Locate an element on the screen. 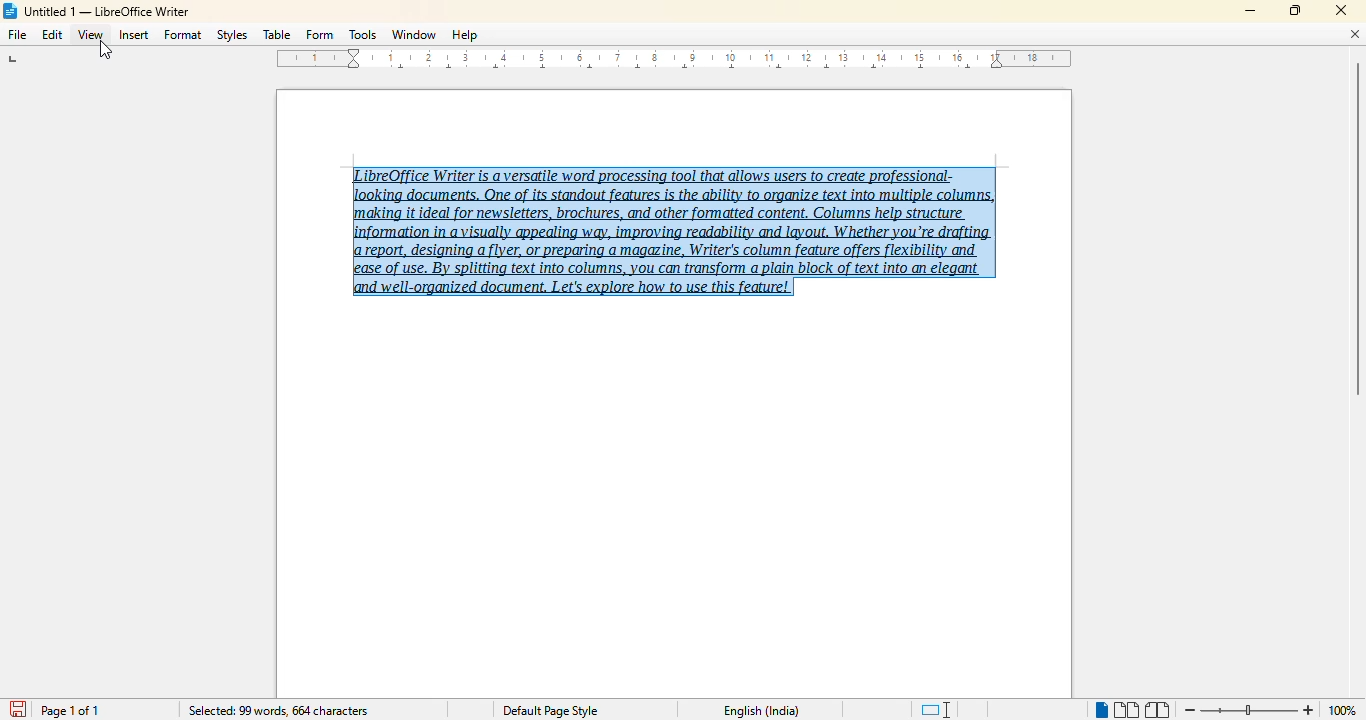  zoom out is located at coordinates (1188, 709).